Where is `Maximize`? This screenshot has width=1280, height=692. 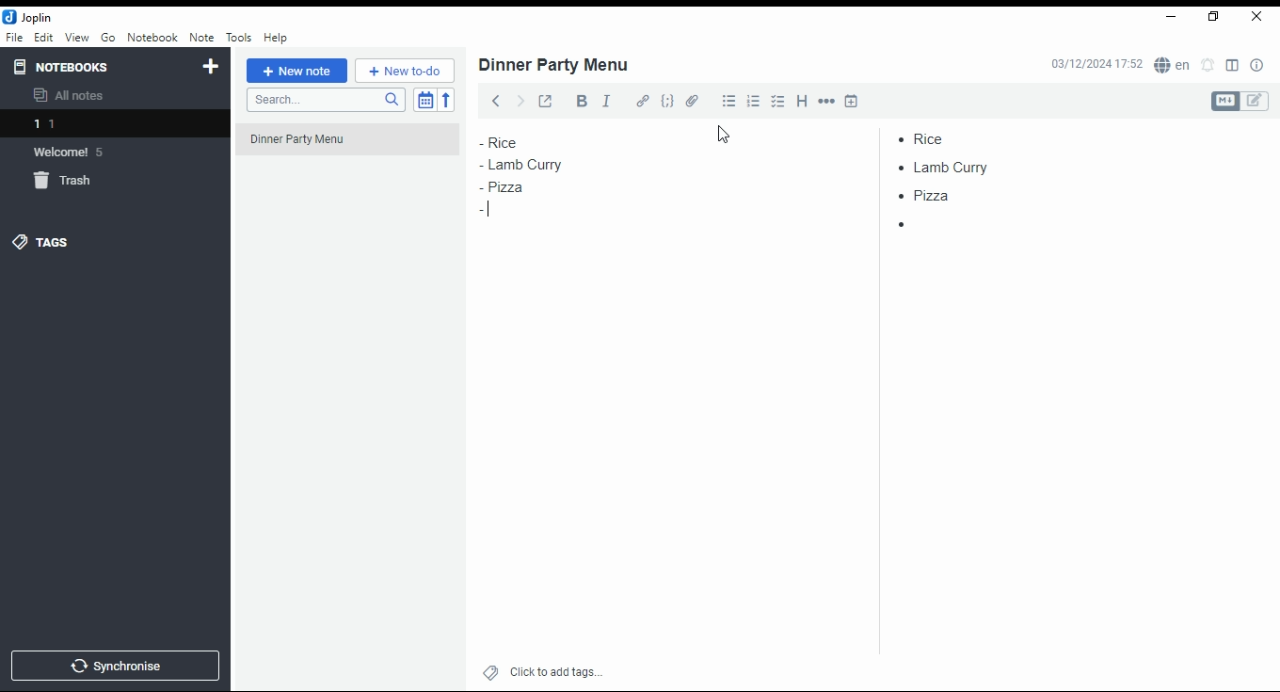 Maximize is located at coordinates (1214, 18).